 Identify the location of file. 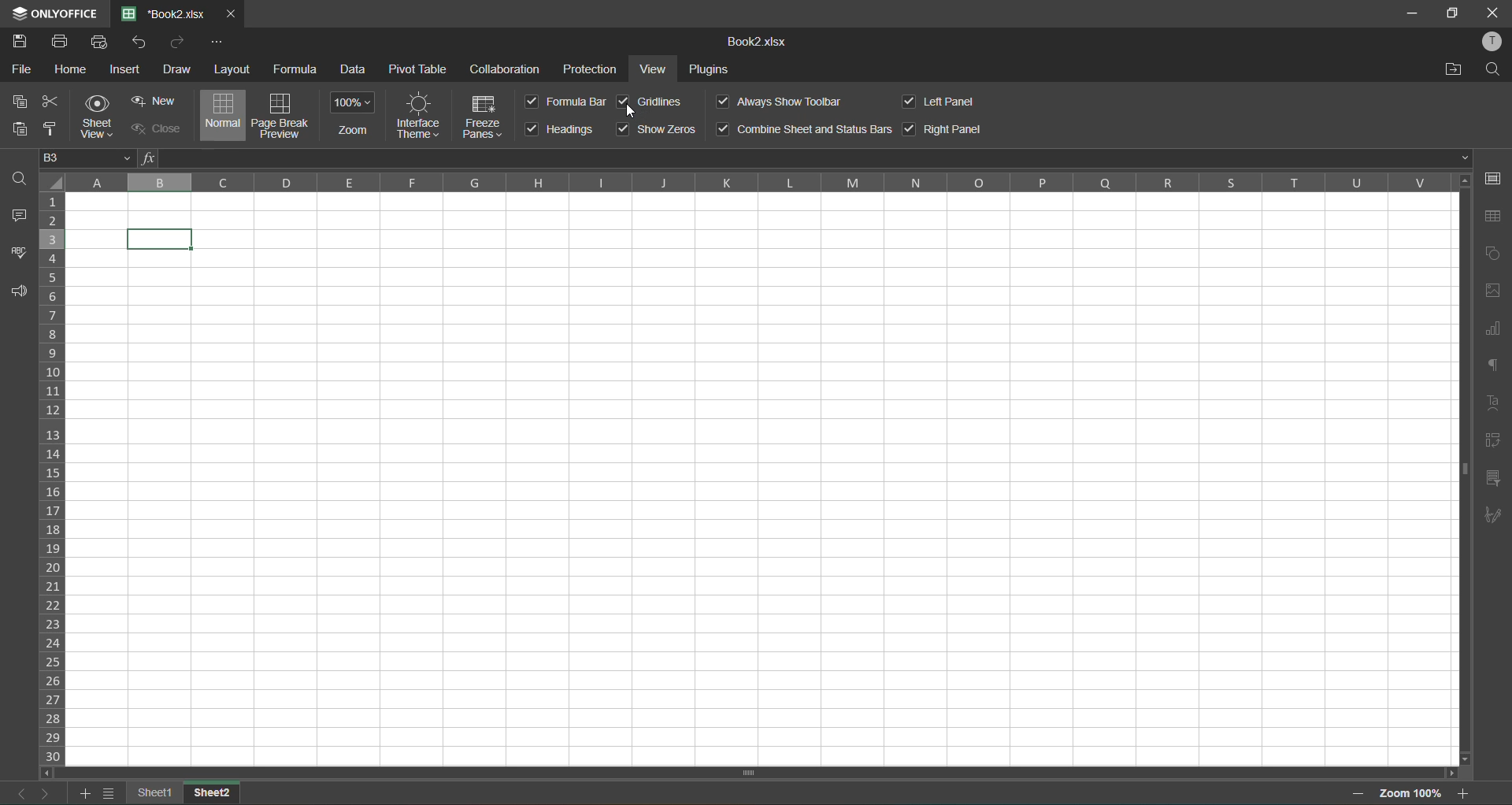
(25, 70).